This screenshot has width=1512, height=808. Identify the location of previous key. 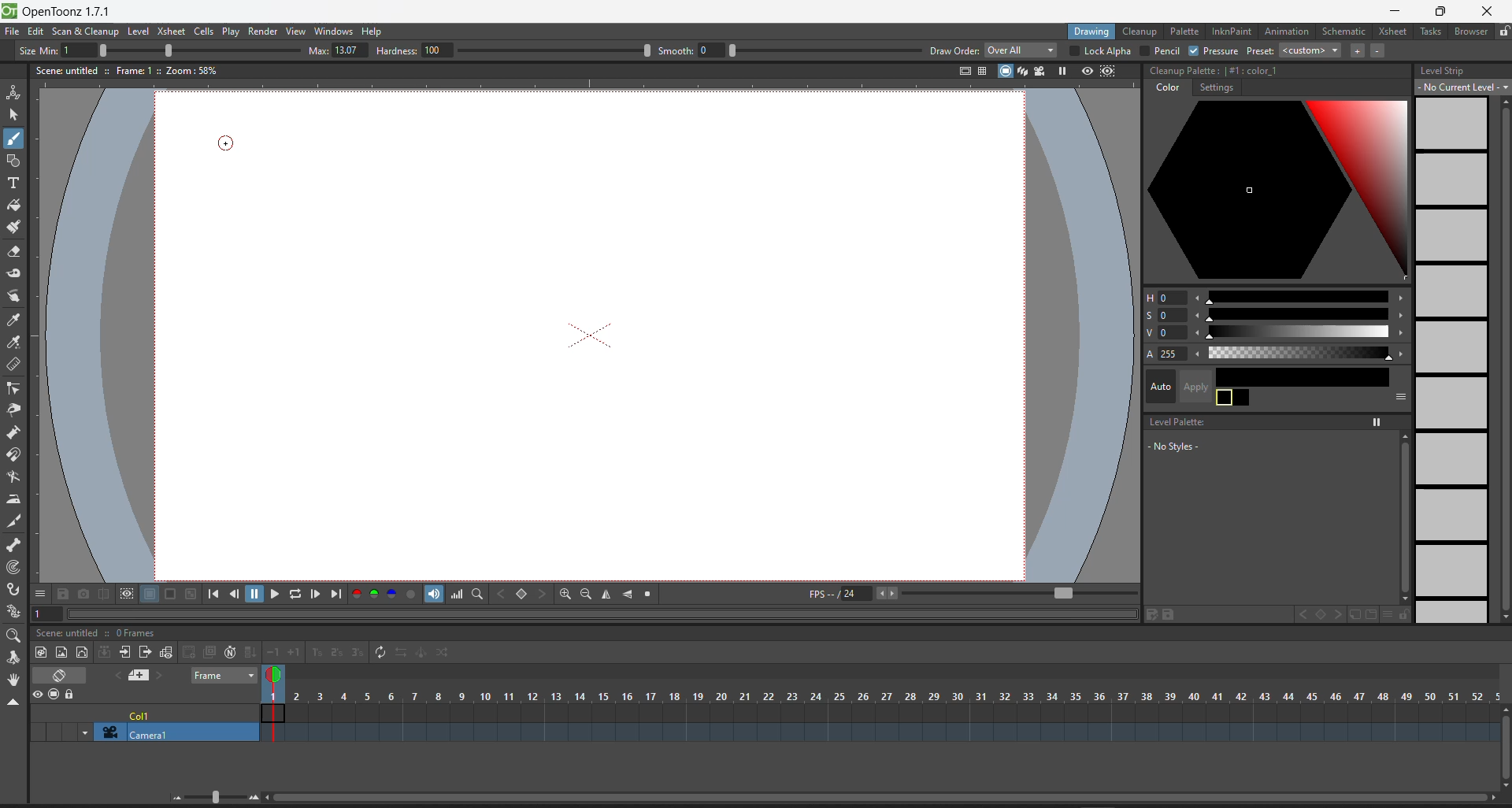
(500, 593).